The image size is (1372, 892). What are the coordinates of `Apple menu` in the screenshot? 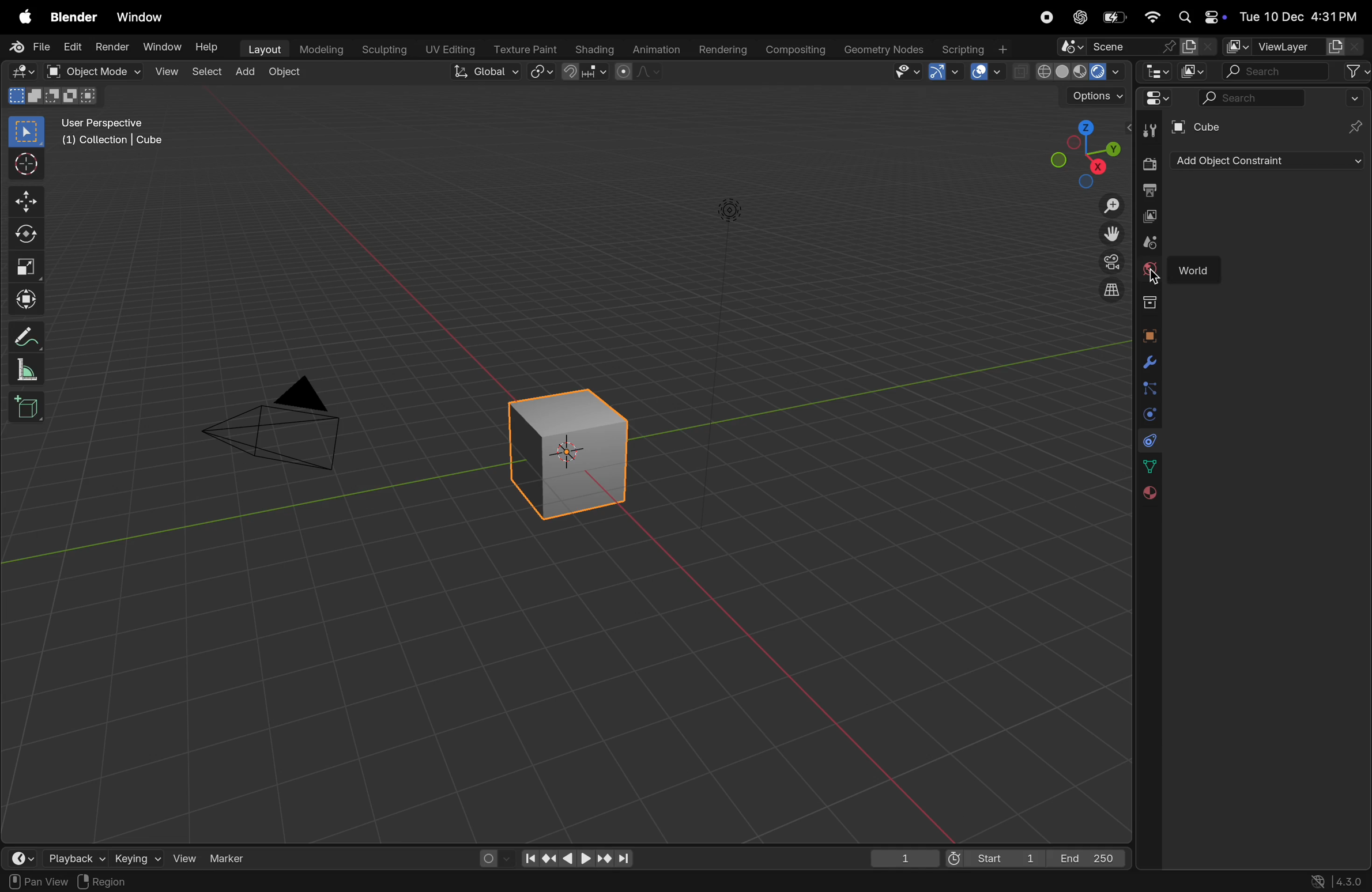 It's located at (24, 16).